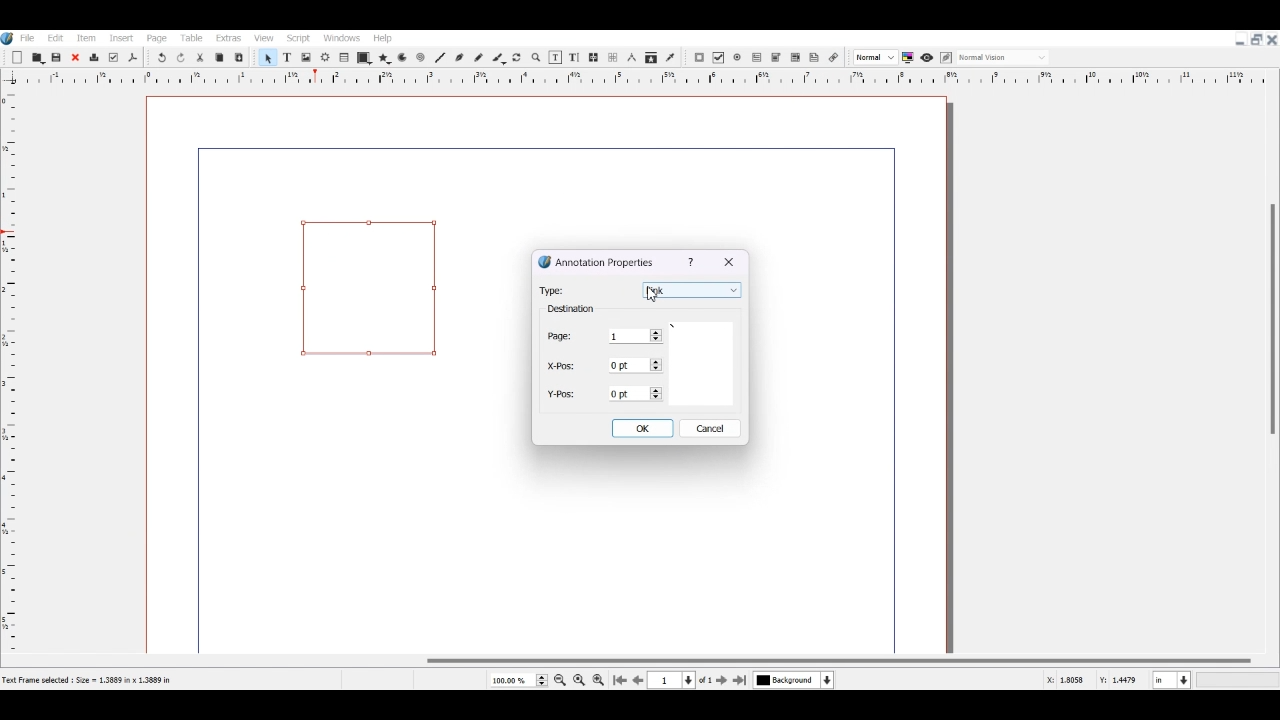 This screenshot has height=720, width=1280. What do you see at coordinates (1004, 56) in the screenshot?
I see `Select the visual appearance on display` at bounding box center [1004, 56].